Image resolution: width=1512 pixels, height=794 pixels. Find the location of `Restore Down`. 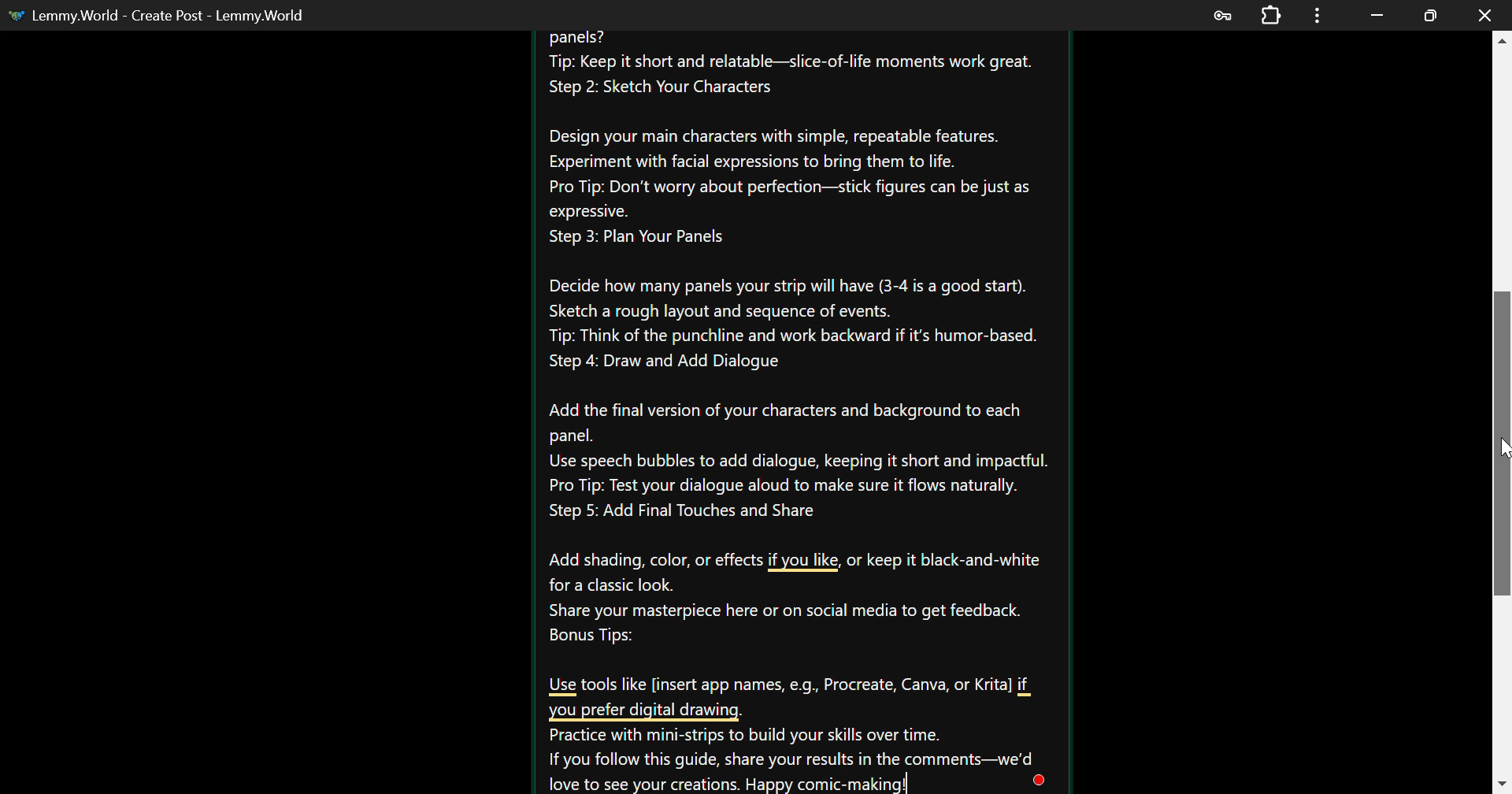

Restore Down is located at coordinates (1378, 13).